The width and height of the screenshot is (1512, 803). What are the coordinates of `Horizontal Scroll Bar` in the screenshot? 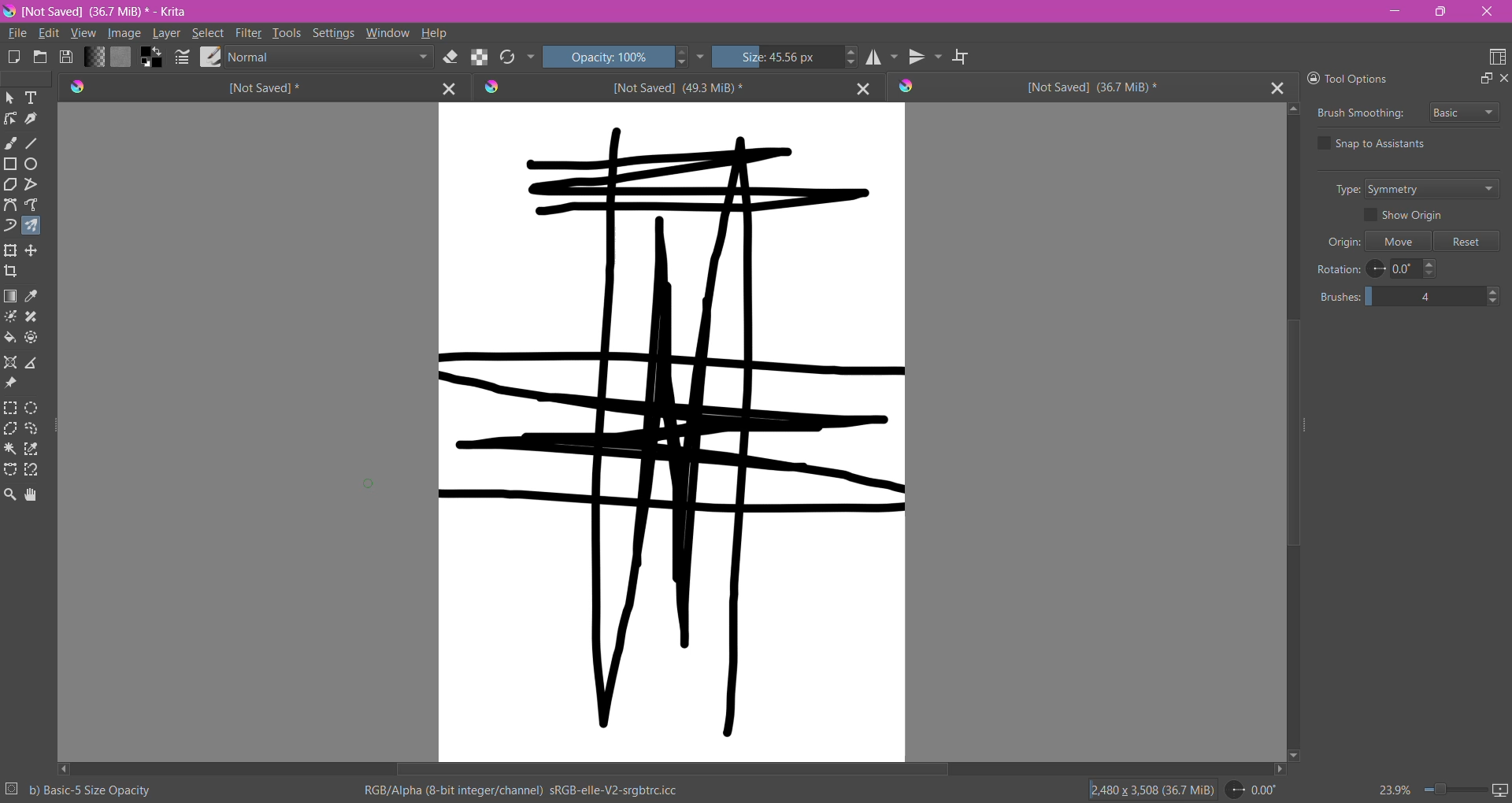 It's located at (671, 770).